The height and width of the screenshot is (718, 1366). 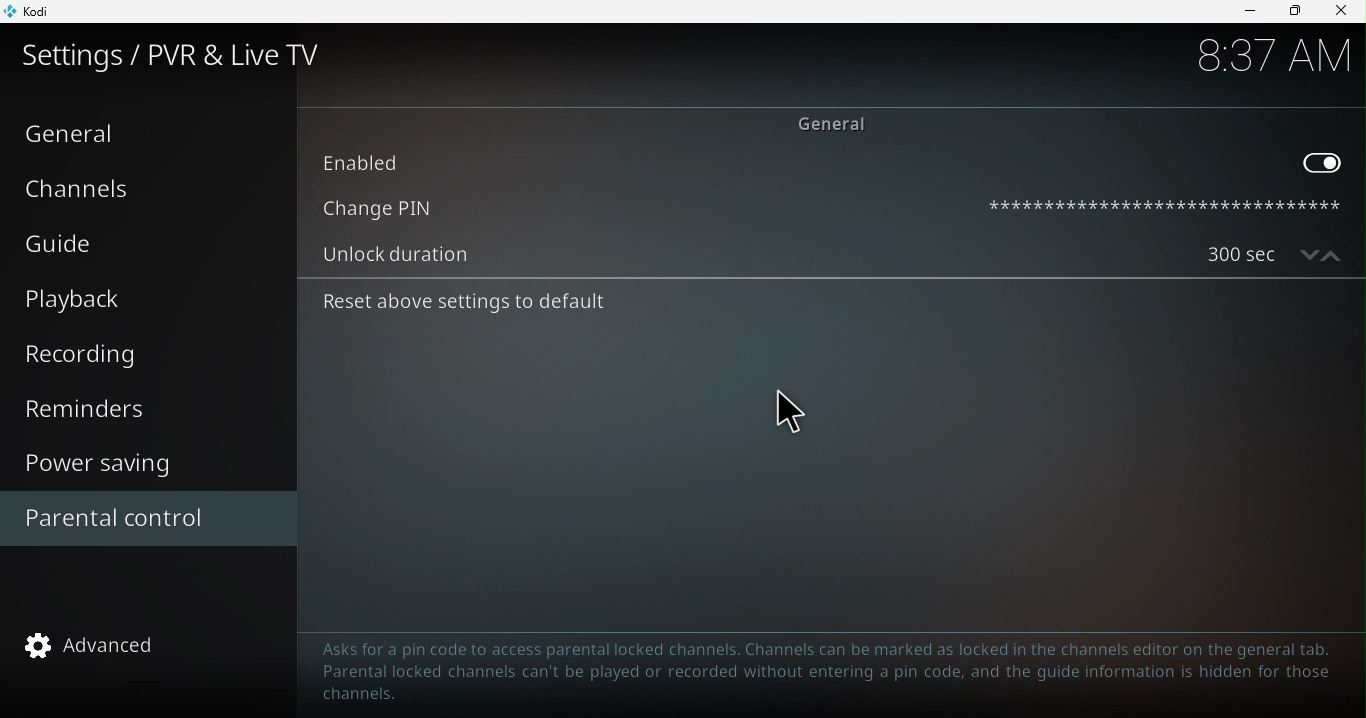 What do you see at coordinates (1249, 13) in the screenshot?
I see `Minimize` at bounding box center [1249, 13].